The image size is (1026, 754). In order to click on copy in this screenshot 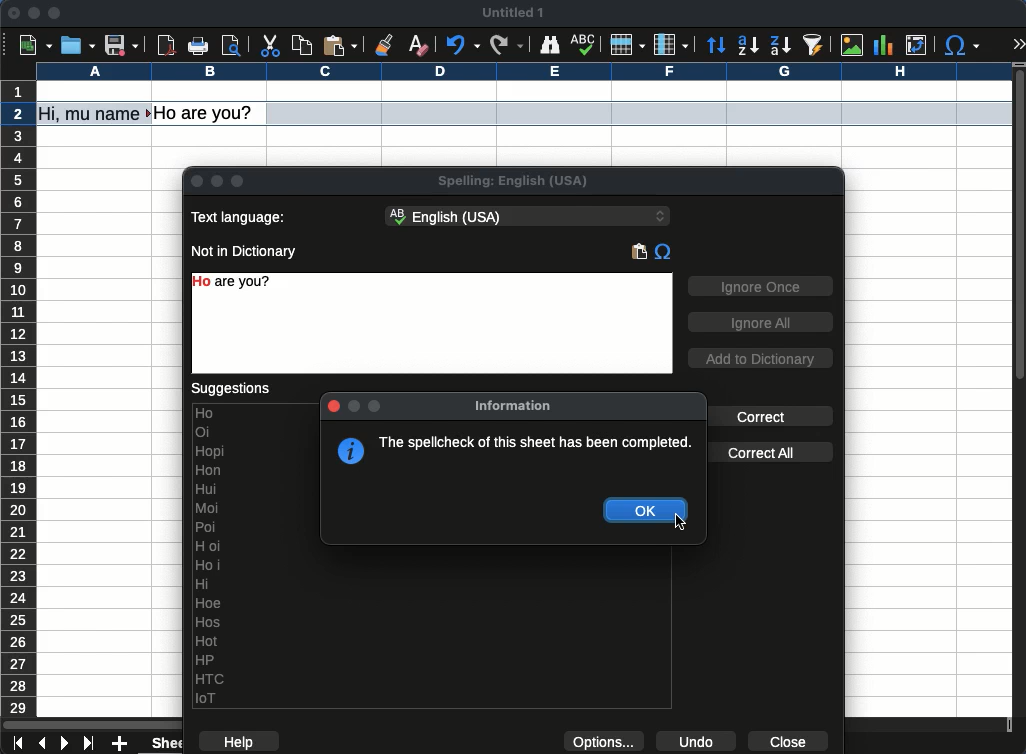, I will do `click(302, 46)`.